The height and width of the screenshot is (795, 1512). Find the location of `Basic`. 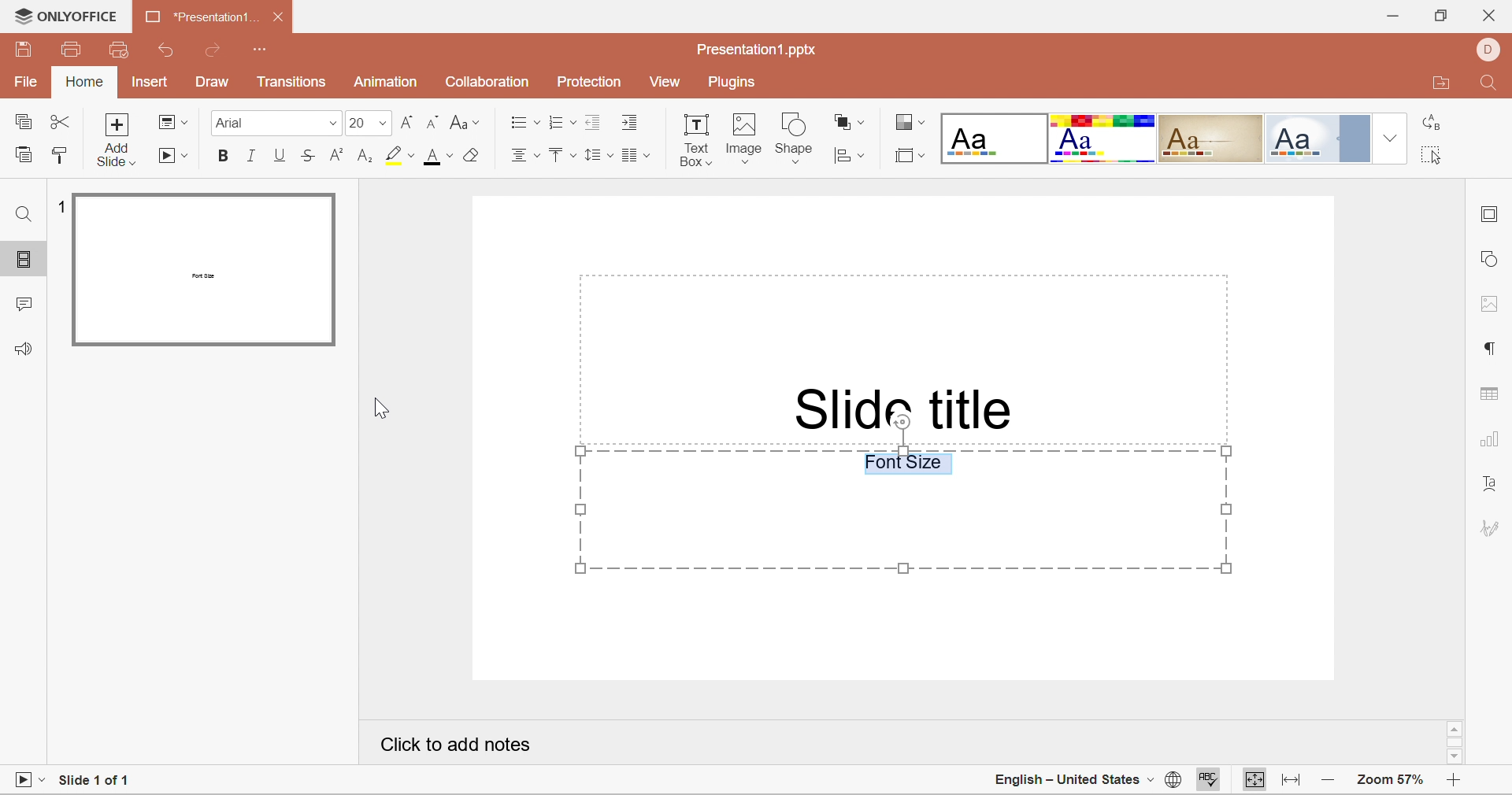

Basic is located at coordinates (1104, 139).